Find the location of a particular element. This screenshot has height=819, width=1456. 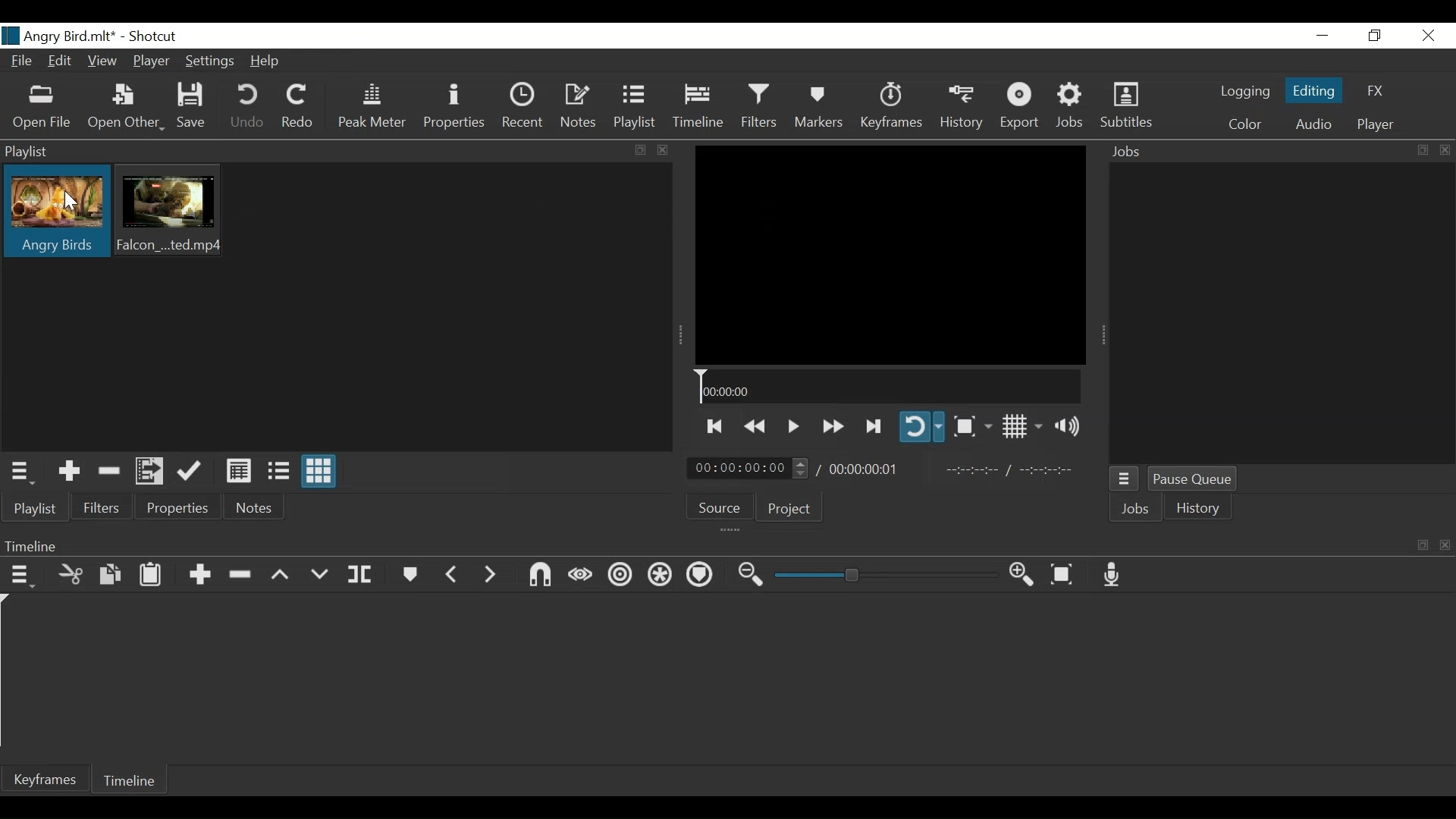

Add the Source to the playlist is located at coordinates (67, 471).